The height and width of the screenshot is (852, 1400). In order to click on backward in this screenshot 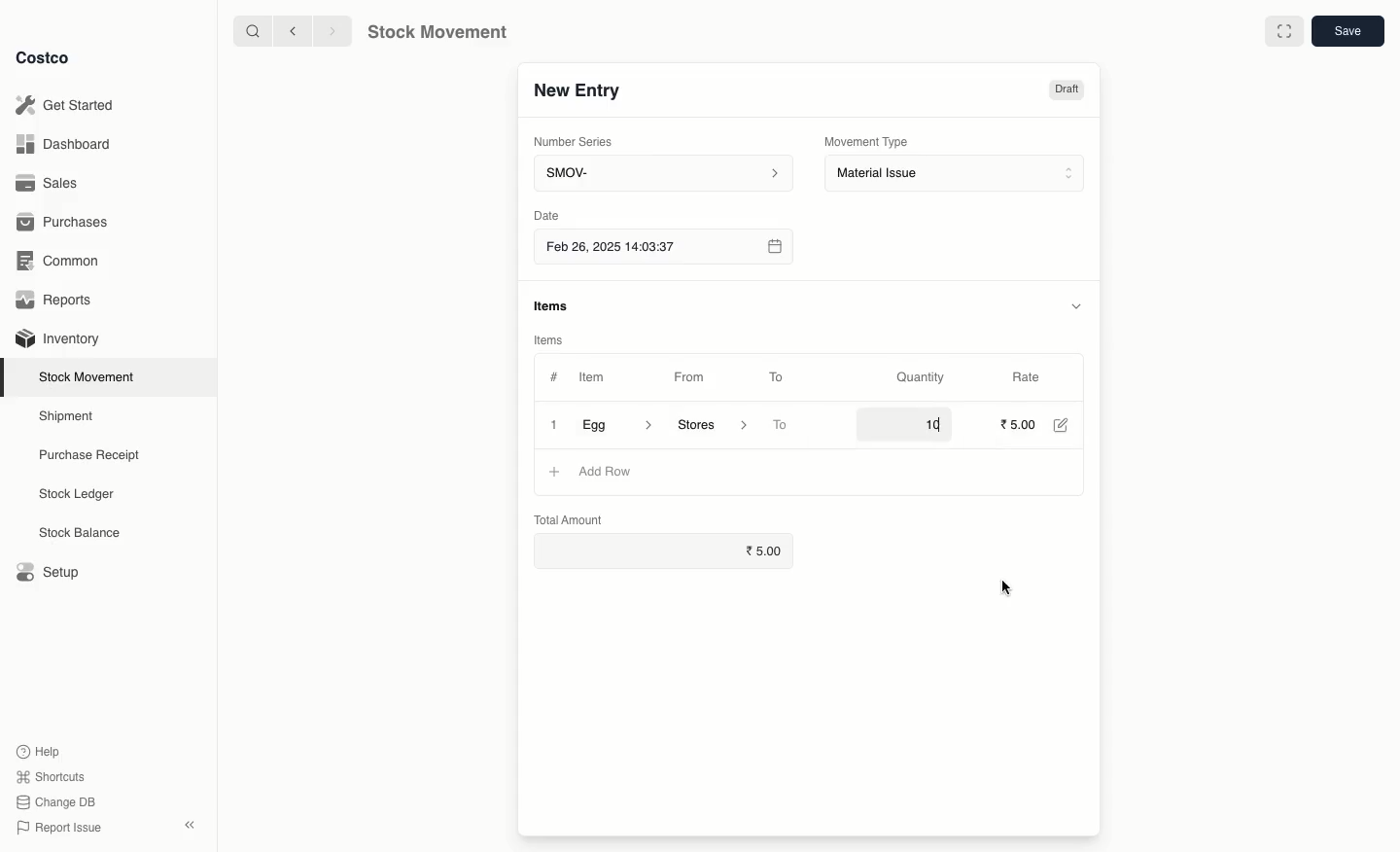, I will do `click(296, 32)`.